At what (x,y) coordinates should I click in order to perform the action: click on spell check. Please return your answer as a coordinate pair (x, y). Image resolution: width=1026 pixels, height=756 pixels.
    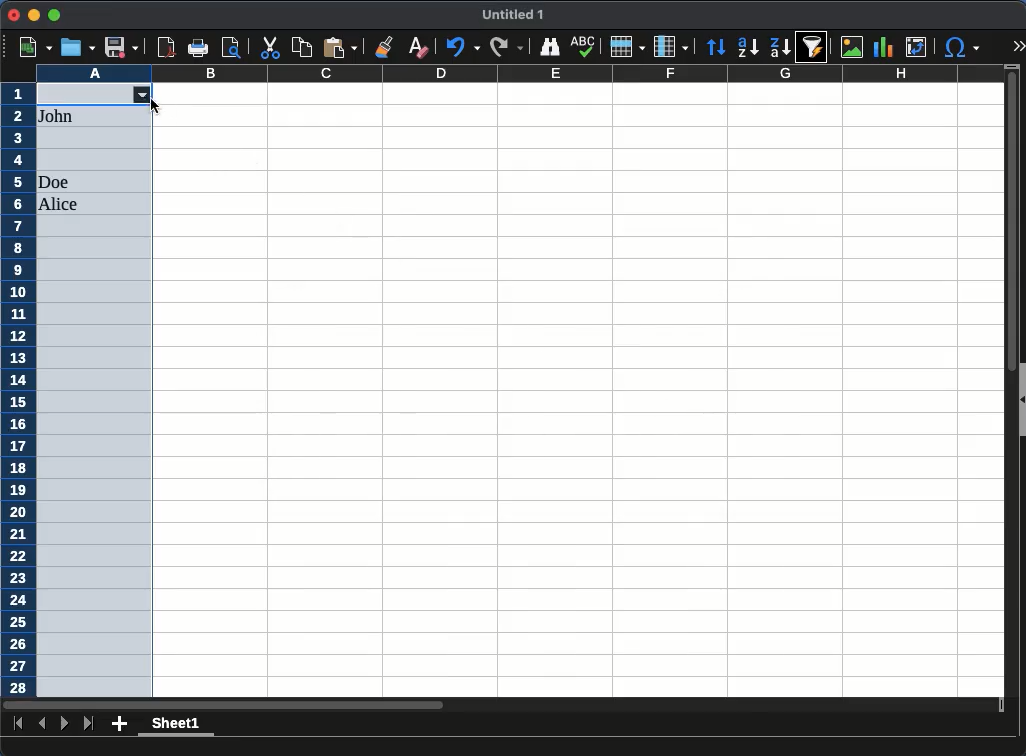
    Looking at the image, I should click on (585, 46).